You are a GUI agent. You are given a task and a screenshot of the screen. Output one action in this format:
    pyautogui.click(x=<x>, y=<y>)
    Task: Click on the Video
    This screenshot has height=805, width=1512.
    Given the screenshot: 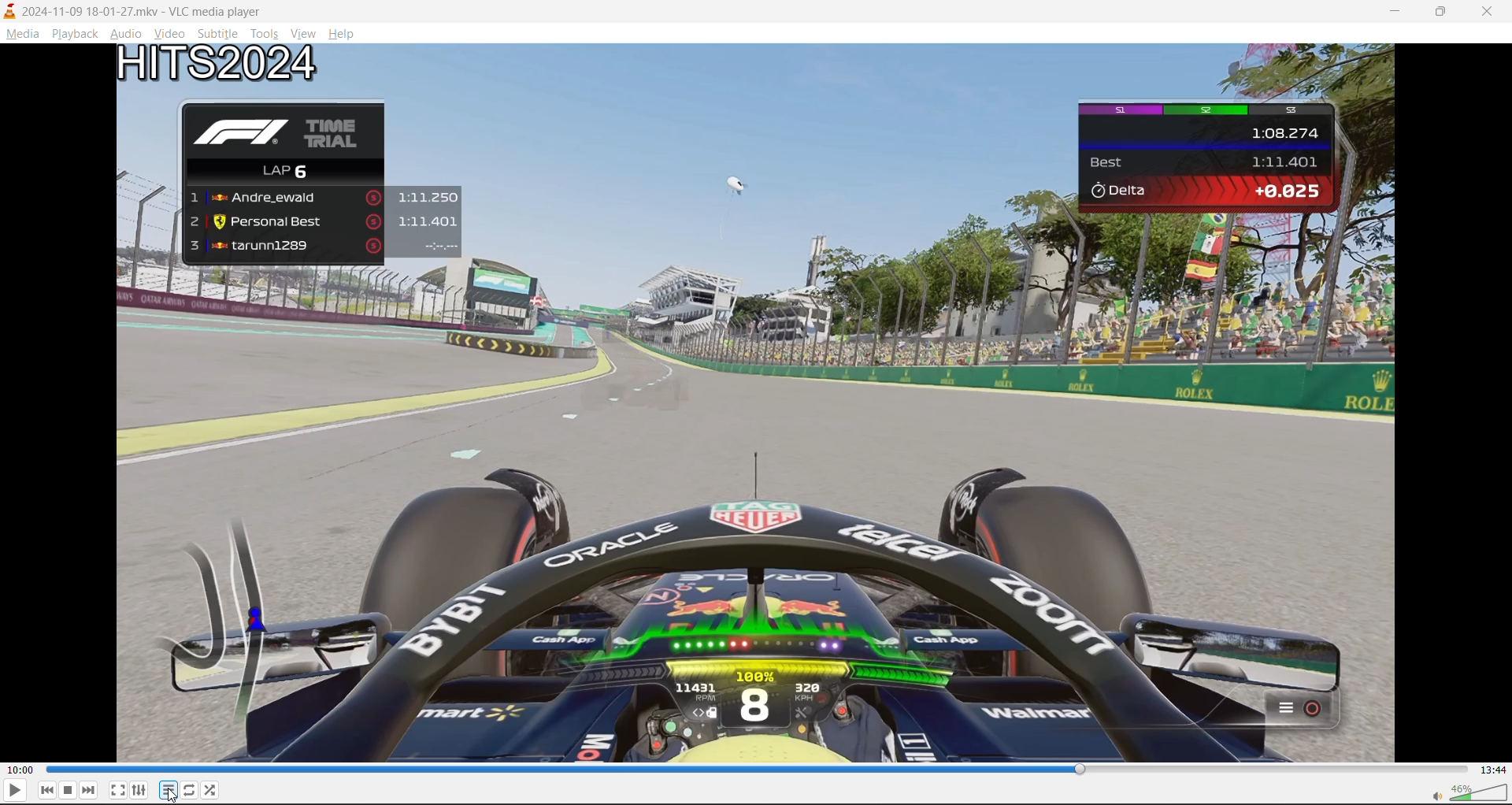 What is the action you would take?
    pyautogui.click(x=762, y=403)
    